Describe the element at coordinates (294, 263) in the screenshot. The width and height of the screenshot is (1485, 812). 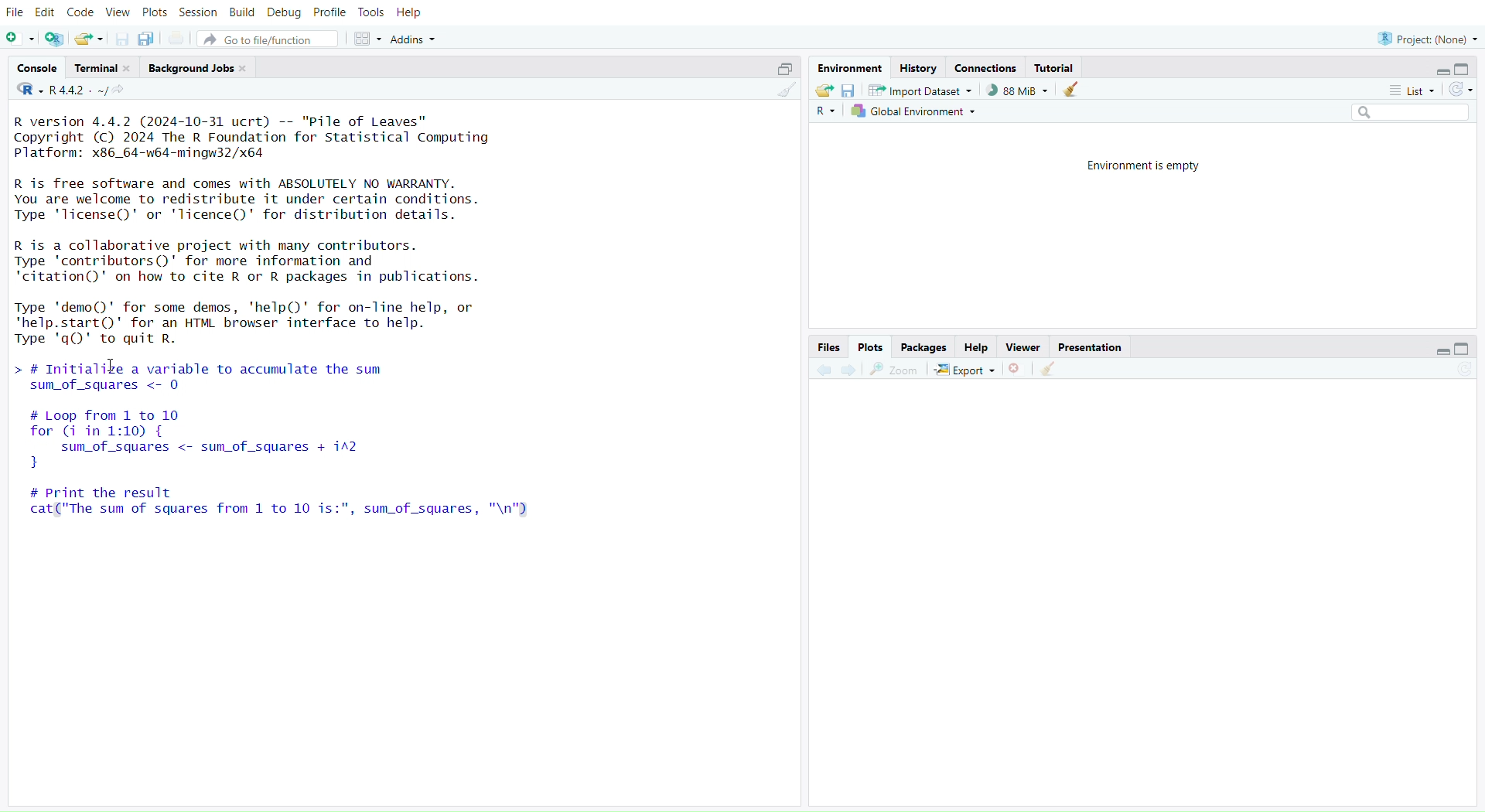
I see `R is a collaborative project with many contributors.
Type 'contributors()' for more information and
"citation()' on how to cite R or R packages in publications.` at that location.